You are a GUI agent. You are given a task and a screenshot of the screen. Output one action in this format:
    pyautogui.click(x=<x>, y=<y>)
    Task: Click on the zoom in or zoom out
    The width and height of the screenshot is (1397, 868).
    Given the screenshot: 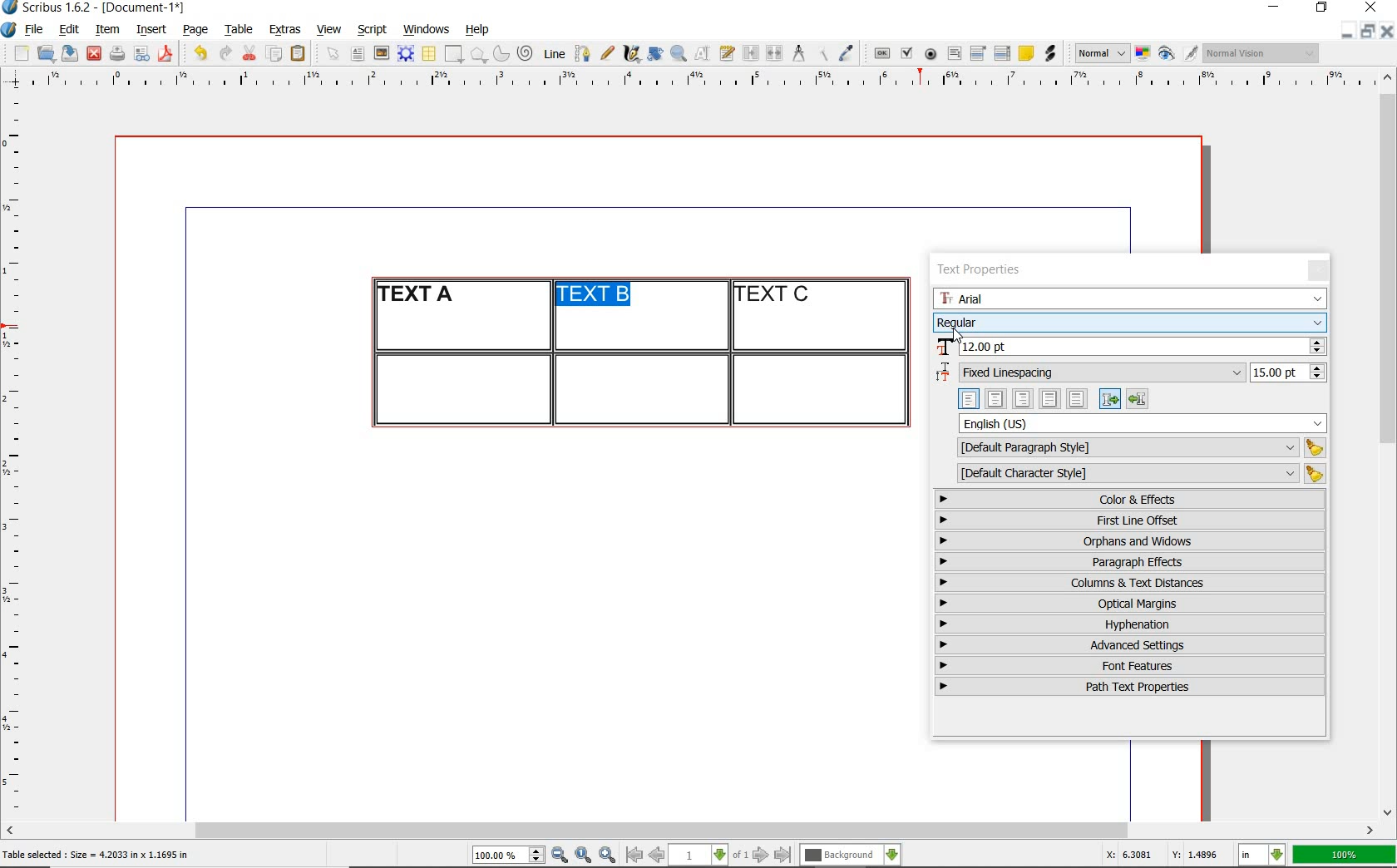 What is the action you would take?
    pyautogui.click(x=679, y=53)
    